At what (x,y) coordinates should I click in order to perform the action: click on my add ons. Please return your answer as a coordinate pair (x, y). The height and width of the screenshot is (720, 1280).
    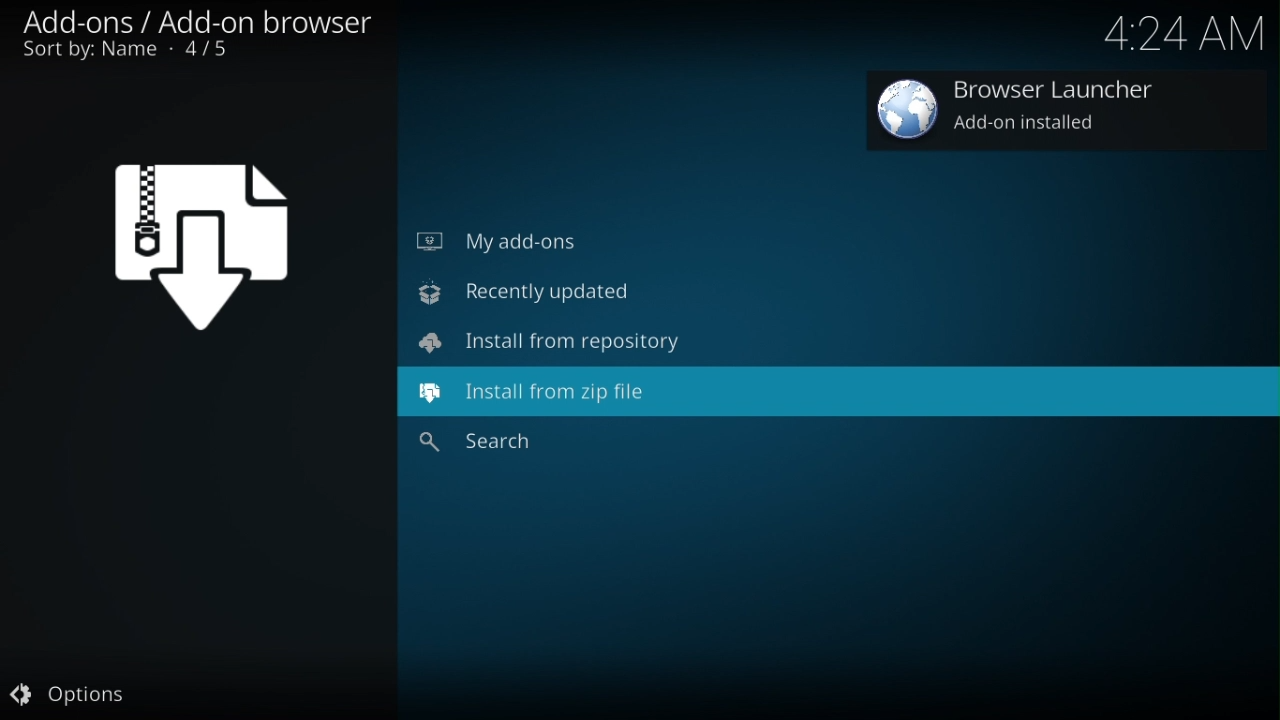
    Looking at the image, I should click on (500, 238).